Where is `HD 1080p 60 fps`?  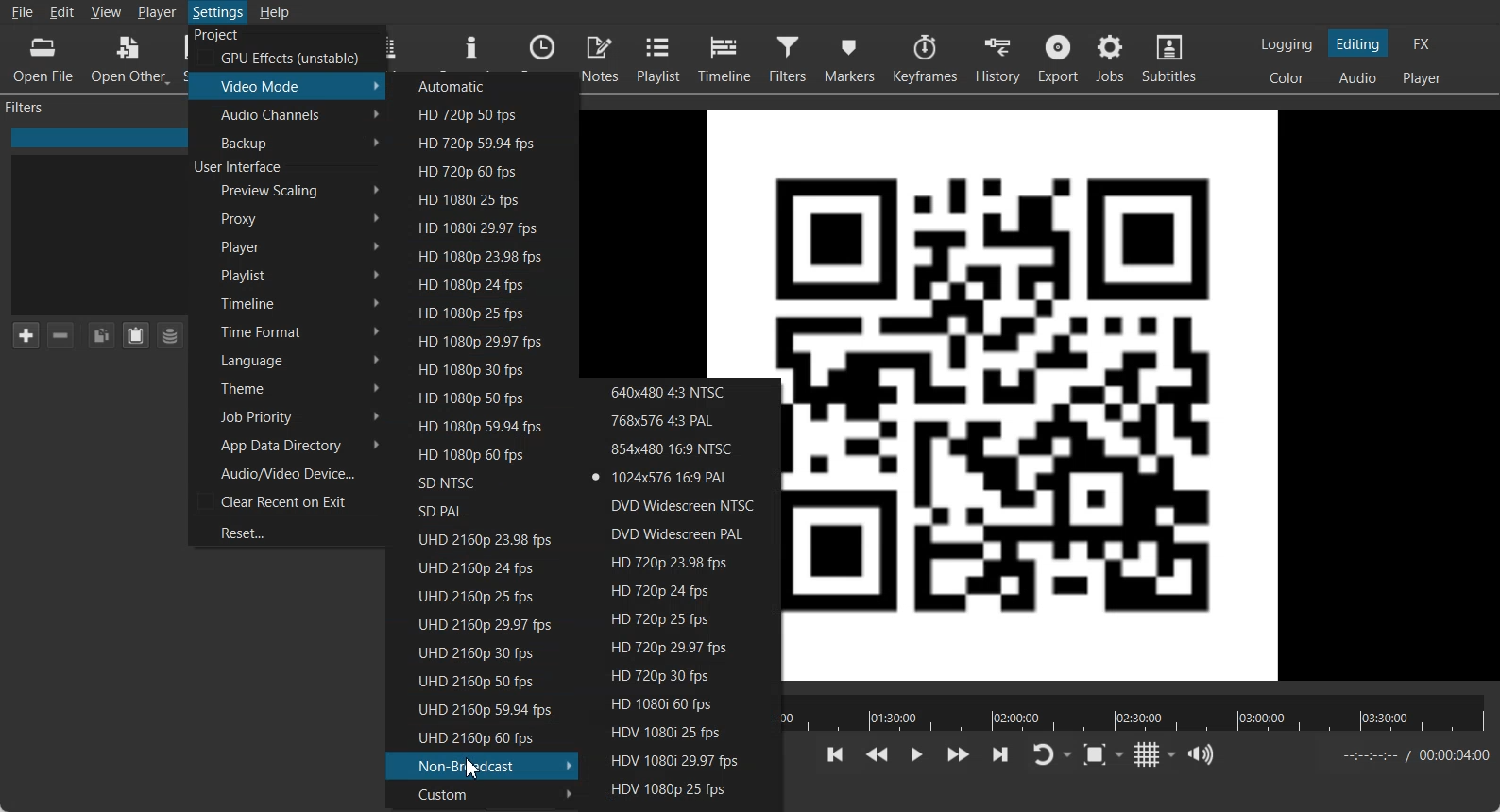 HD 1080p 60 fps is located at coordinates (473, 454).